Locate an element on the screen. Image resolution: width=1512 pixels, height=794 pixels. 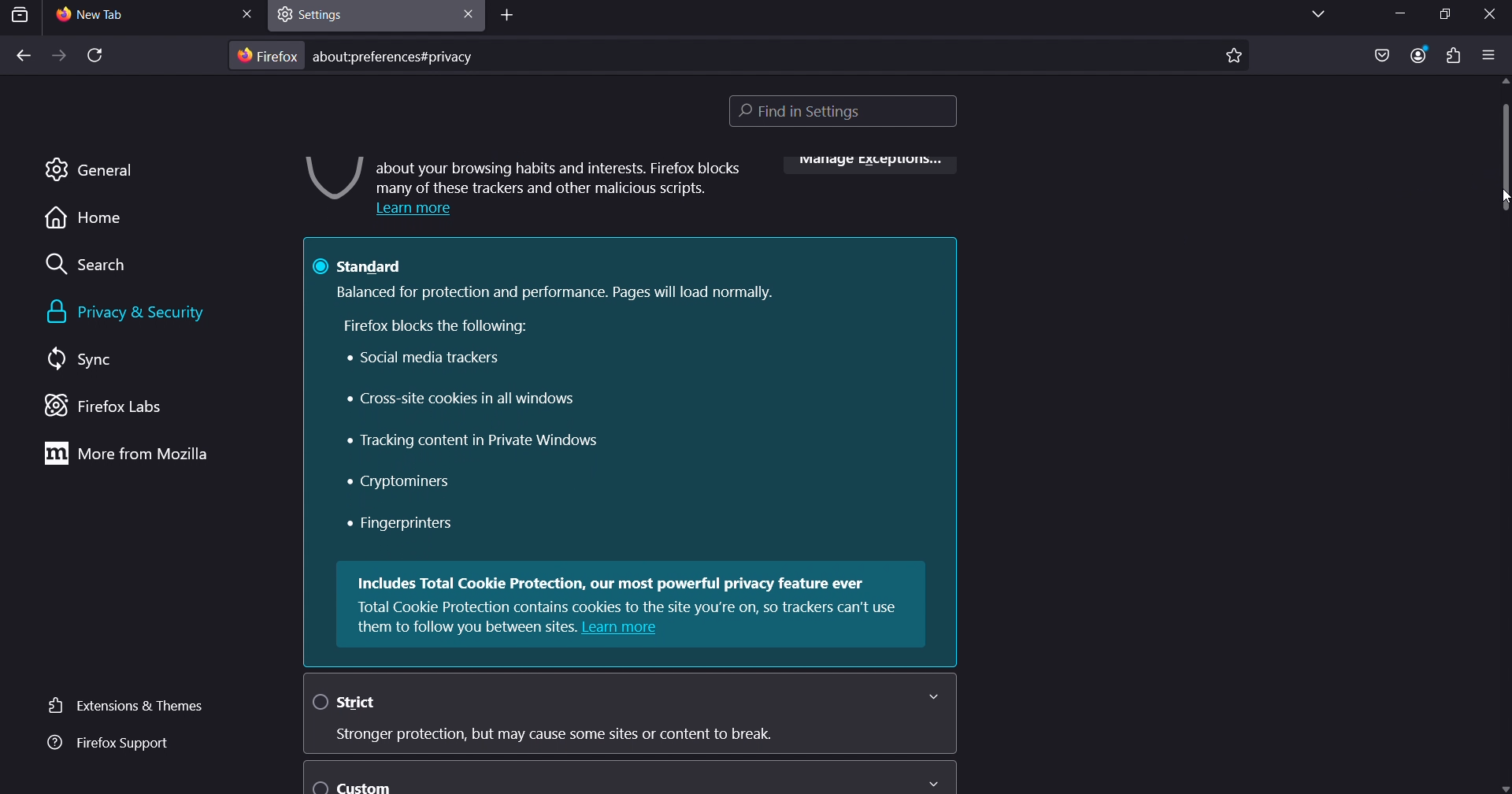
home is located at coordinates (82, 222).